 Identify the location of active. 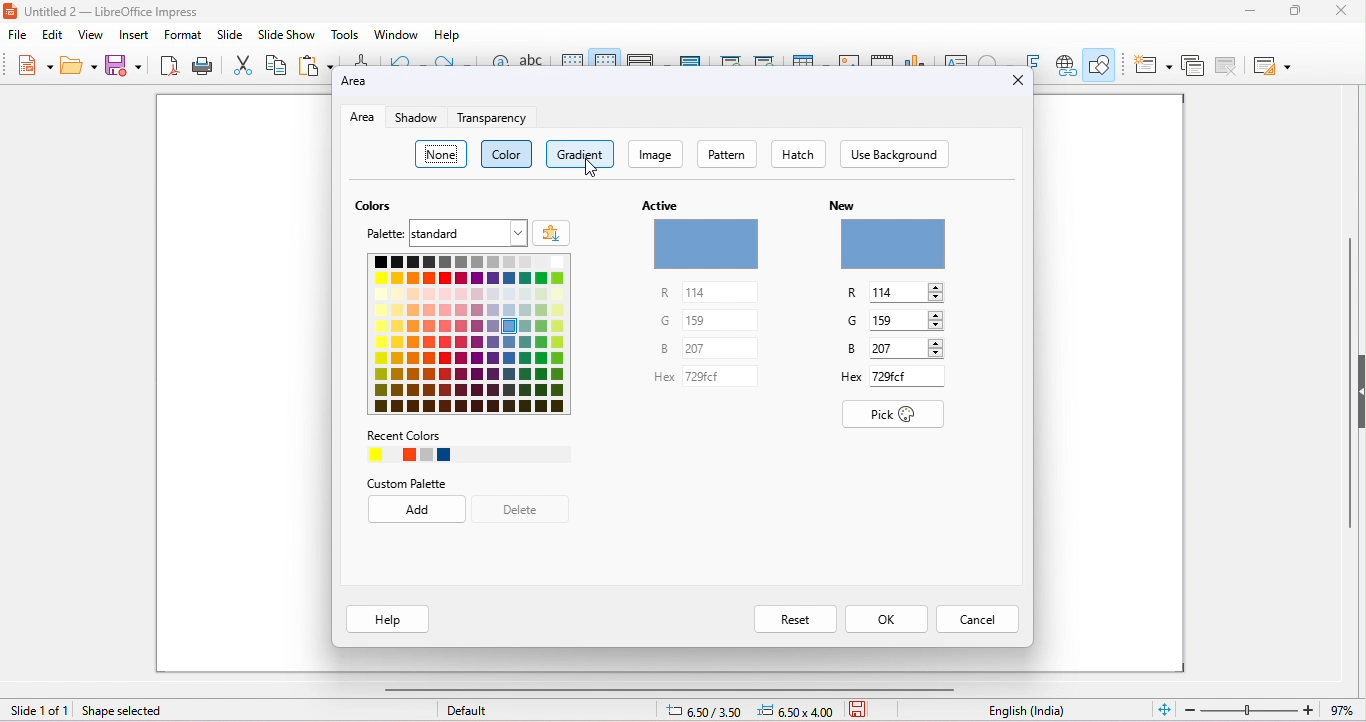
(658, 199).